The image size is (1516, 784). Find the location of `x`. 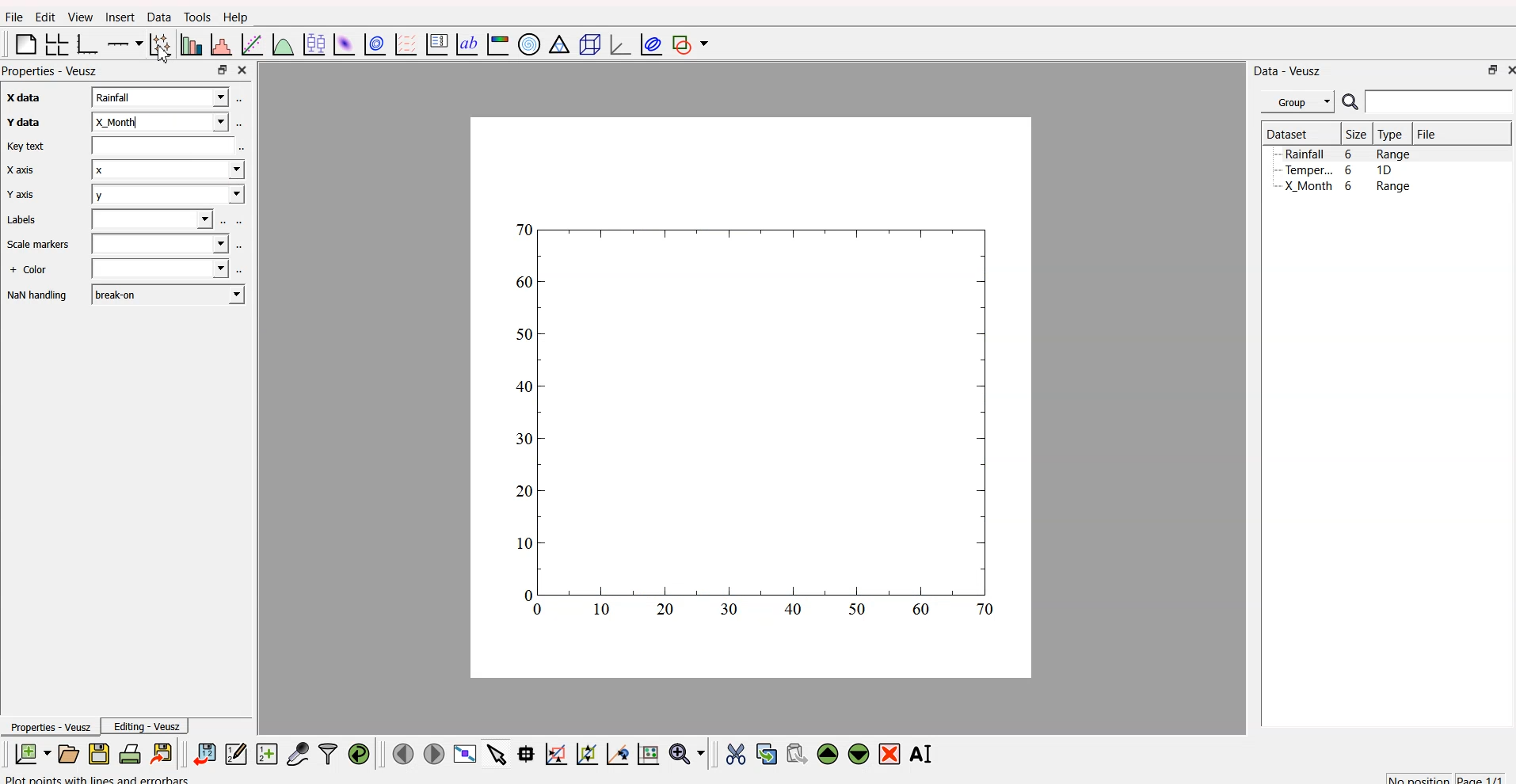

x is located at coordinates (161, 97).